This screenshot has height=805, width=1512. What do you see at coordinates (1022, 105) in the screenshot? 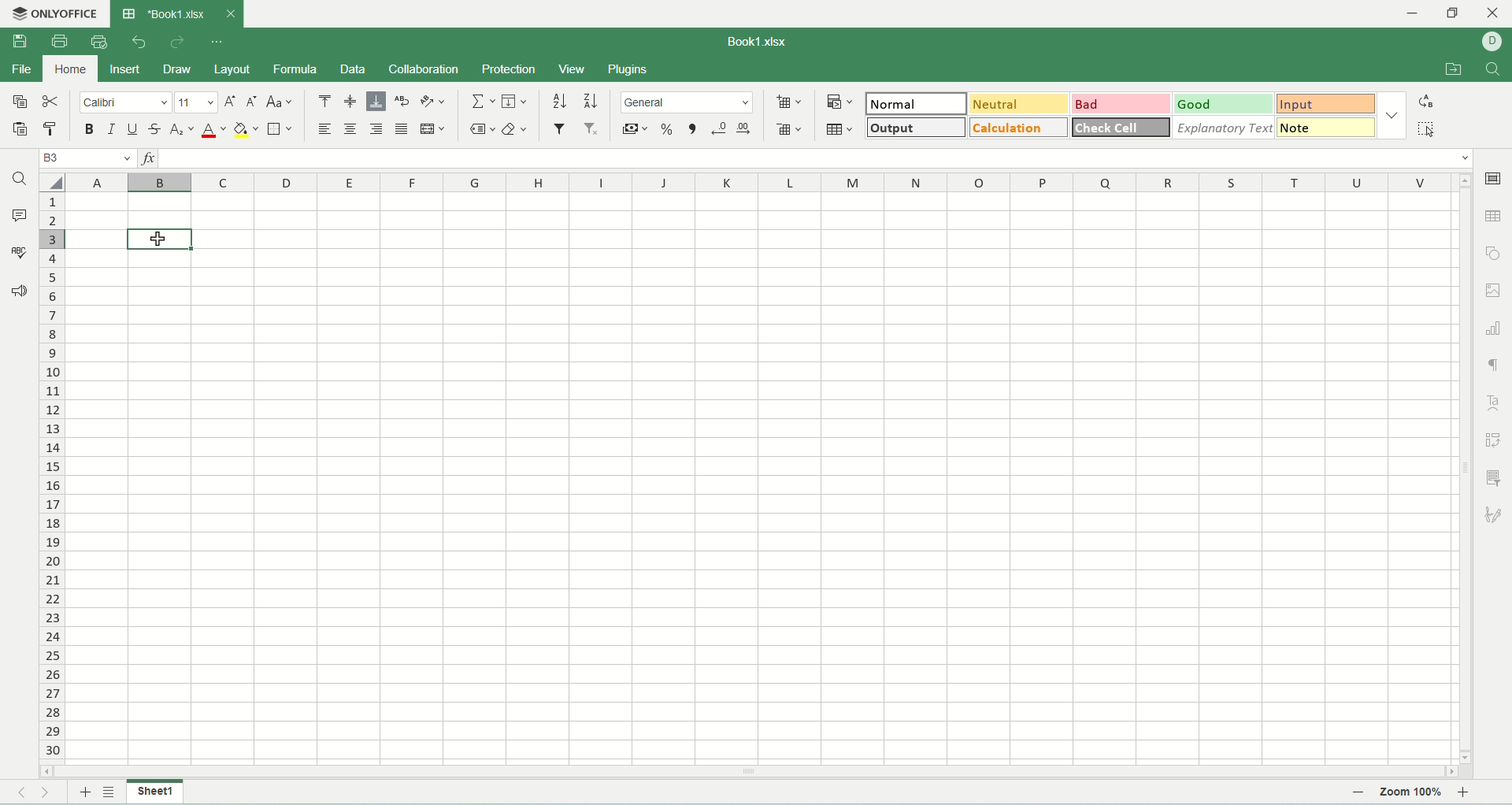
I see `neutral` at bounding box center [1022, 105].